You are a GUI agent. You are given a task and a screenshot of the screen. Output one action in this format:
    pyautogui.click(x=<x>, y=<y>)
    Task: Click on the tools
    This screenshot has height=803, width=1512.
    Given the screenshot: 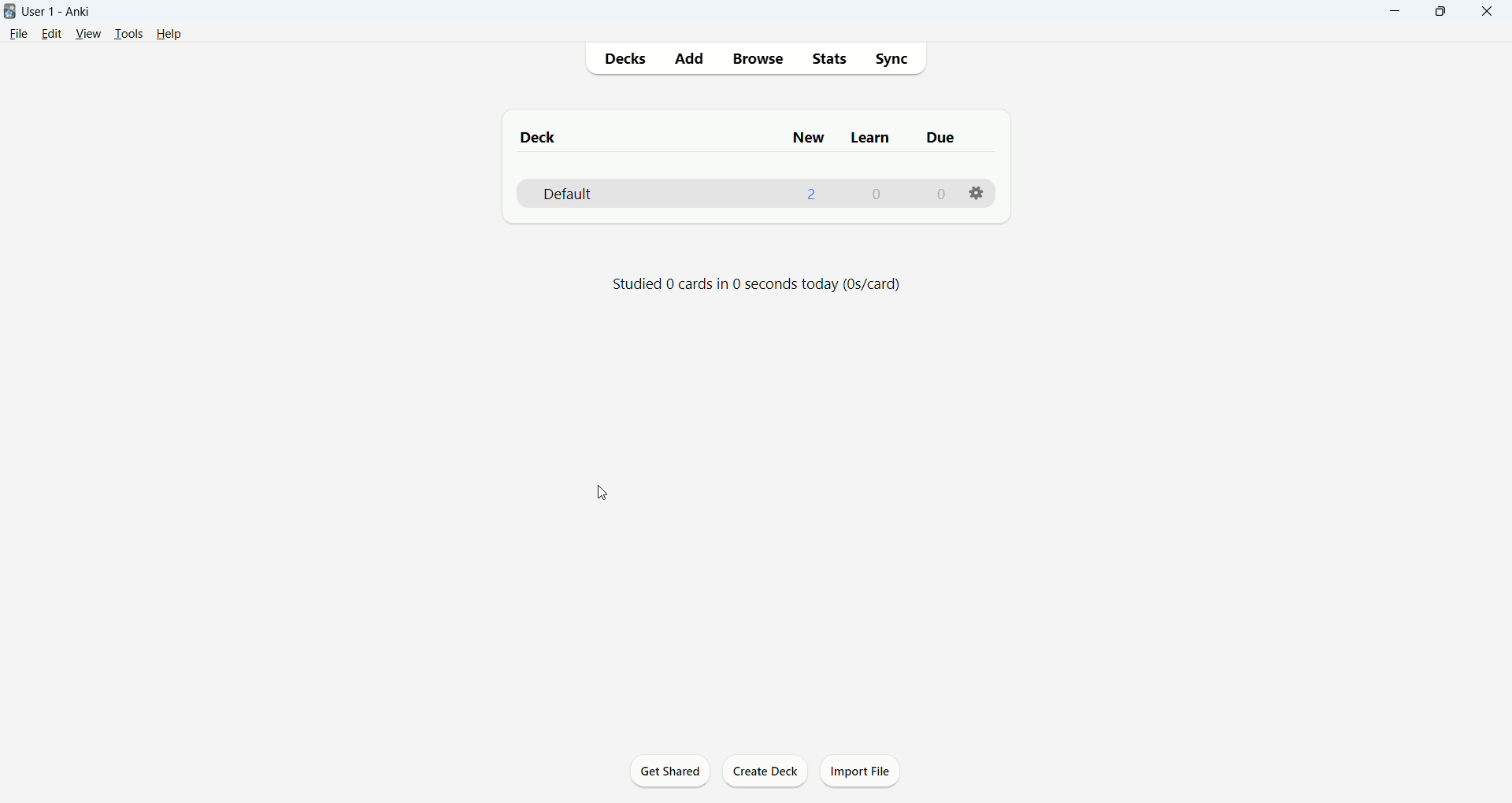 What is the action you would take?
    pyautogui.click(x=130, y=38)
    